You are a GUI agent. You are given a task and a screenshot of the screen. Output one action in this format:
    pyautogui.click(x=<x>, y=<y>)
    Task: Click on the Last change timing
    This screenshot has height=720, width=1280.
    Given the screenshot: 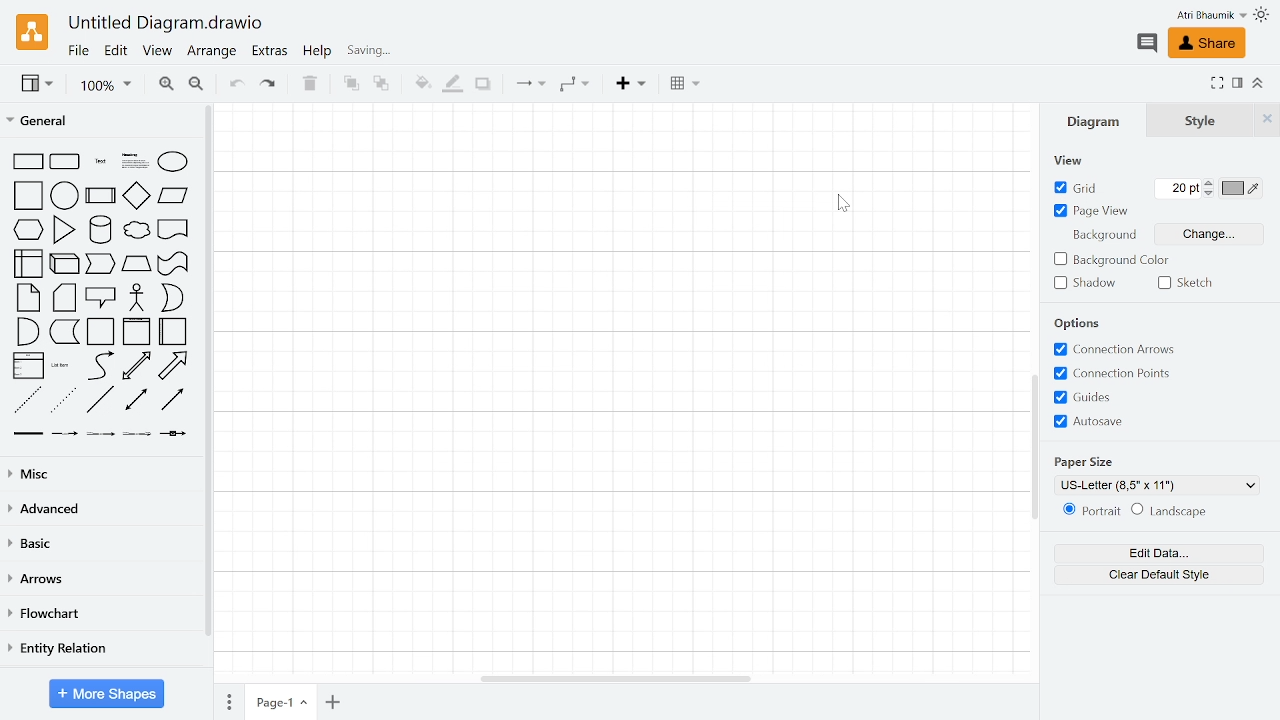 What is the action you would take?
    pyautogui.click(x=439, y=53)
    